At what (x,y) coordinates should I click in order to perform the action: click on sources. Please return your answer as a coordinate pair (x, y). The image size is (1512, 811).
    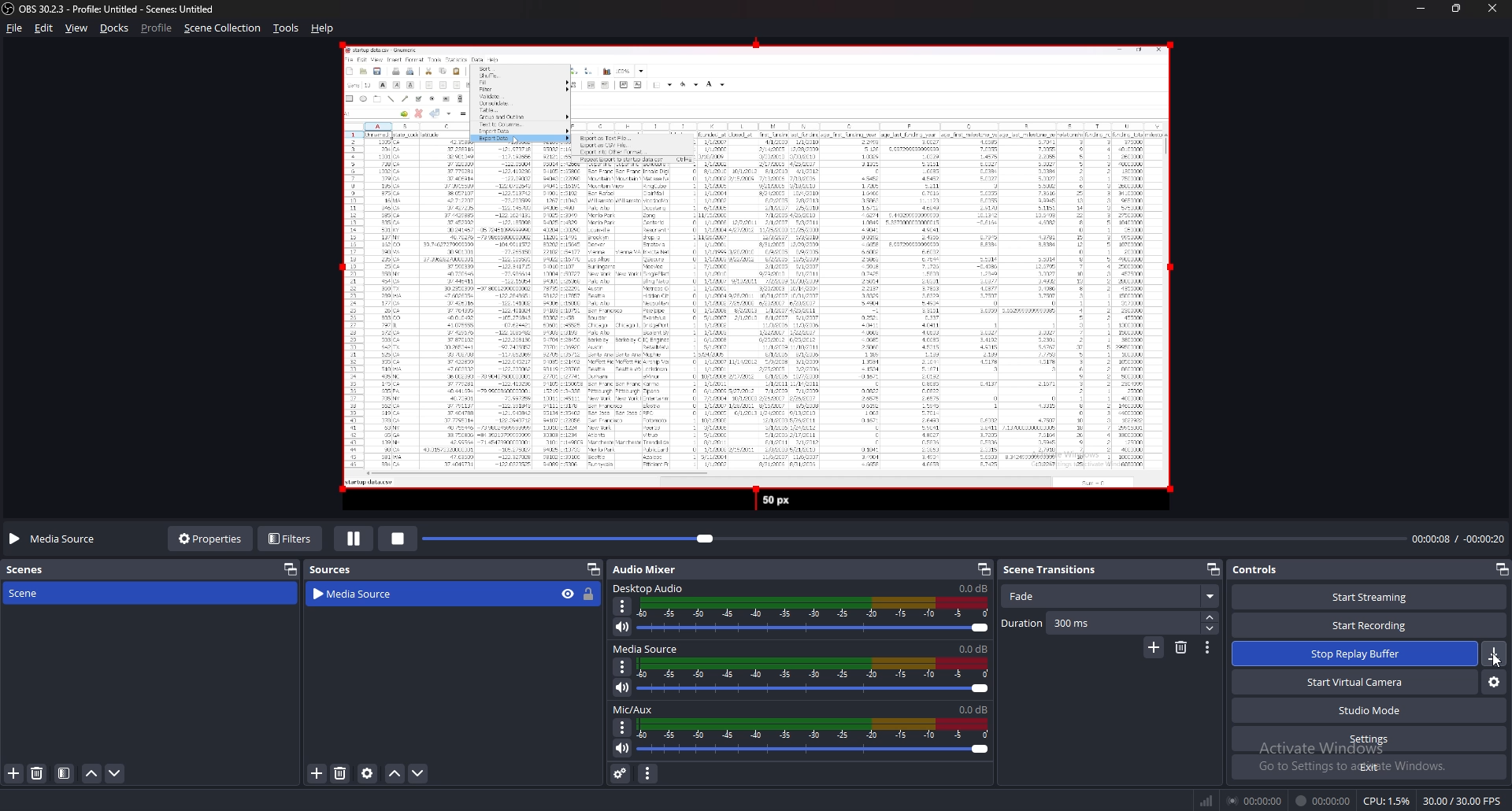
    Looking at the image, I should click on (336, 568).